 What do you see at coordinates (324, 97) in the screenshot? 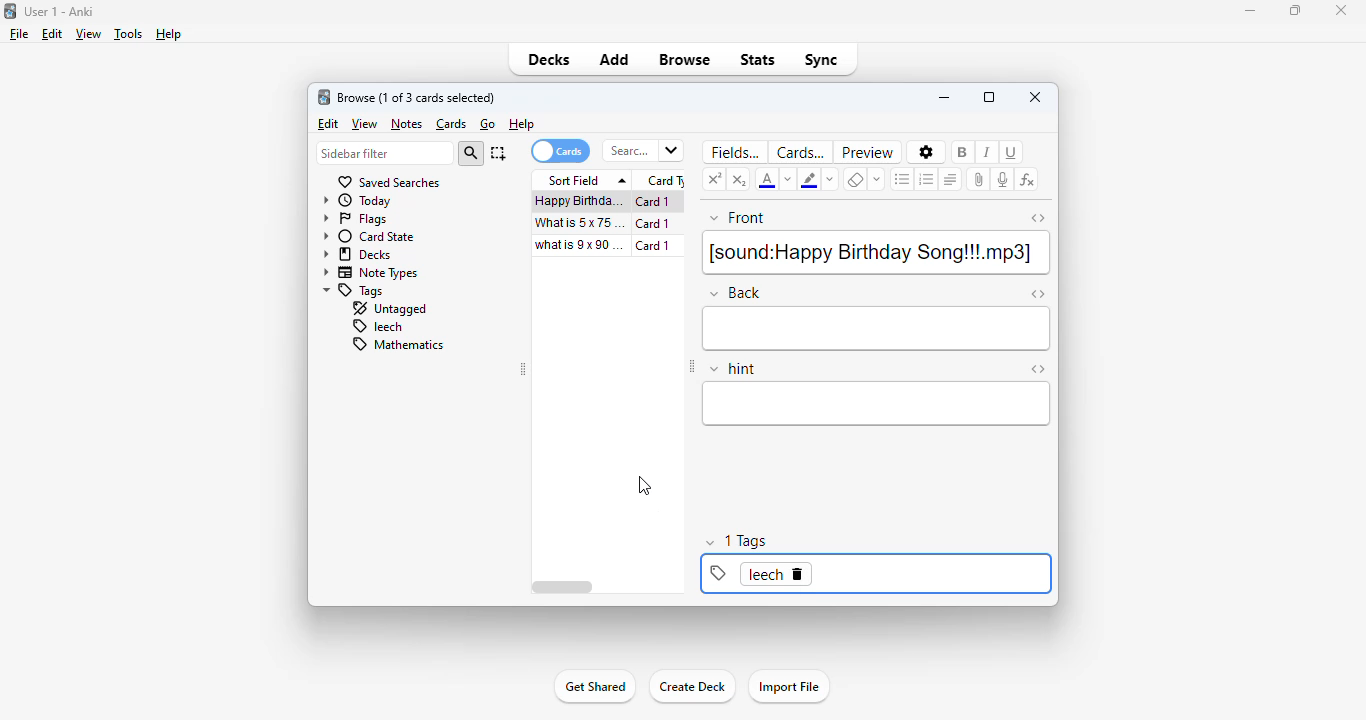
I see `logo` at bounding box center [324, 97].